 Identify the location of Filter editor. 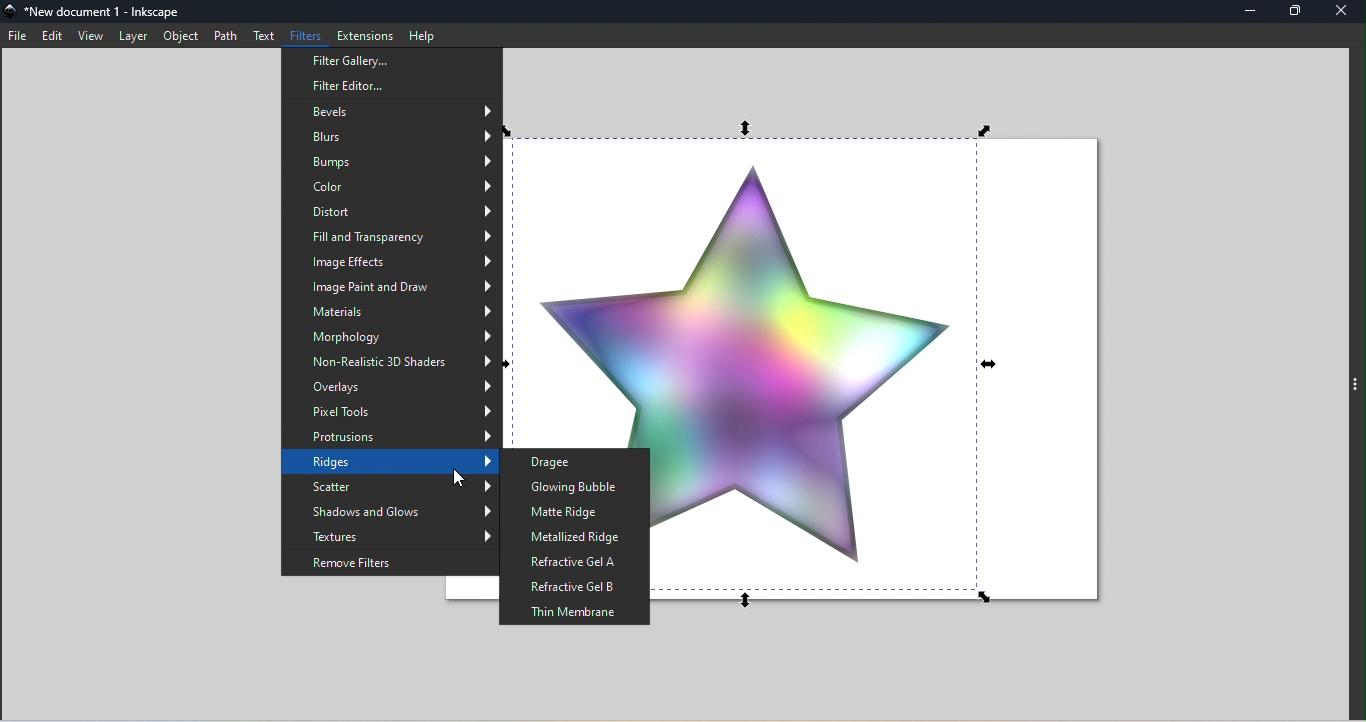
(391, 86).